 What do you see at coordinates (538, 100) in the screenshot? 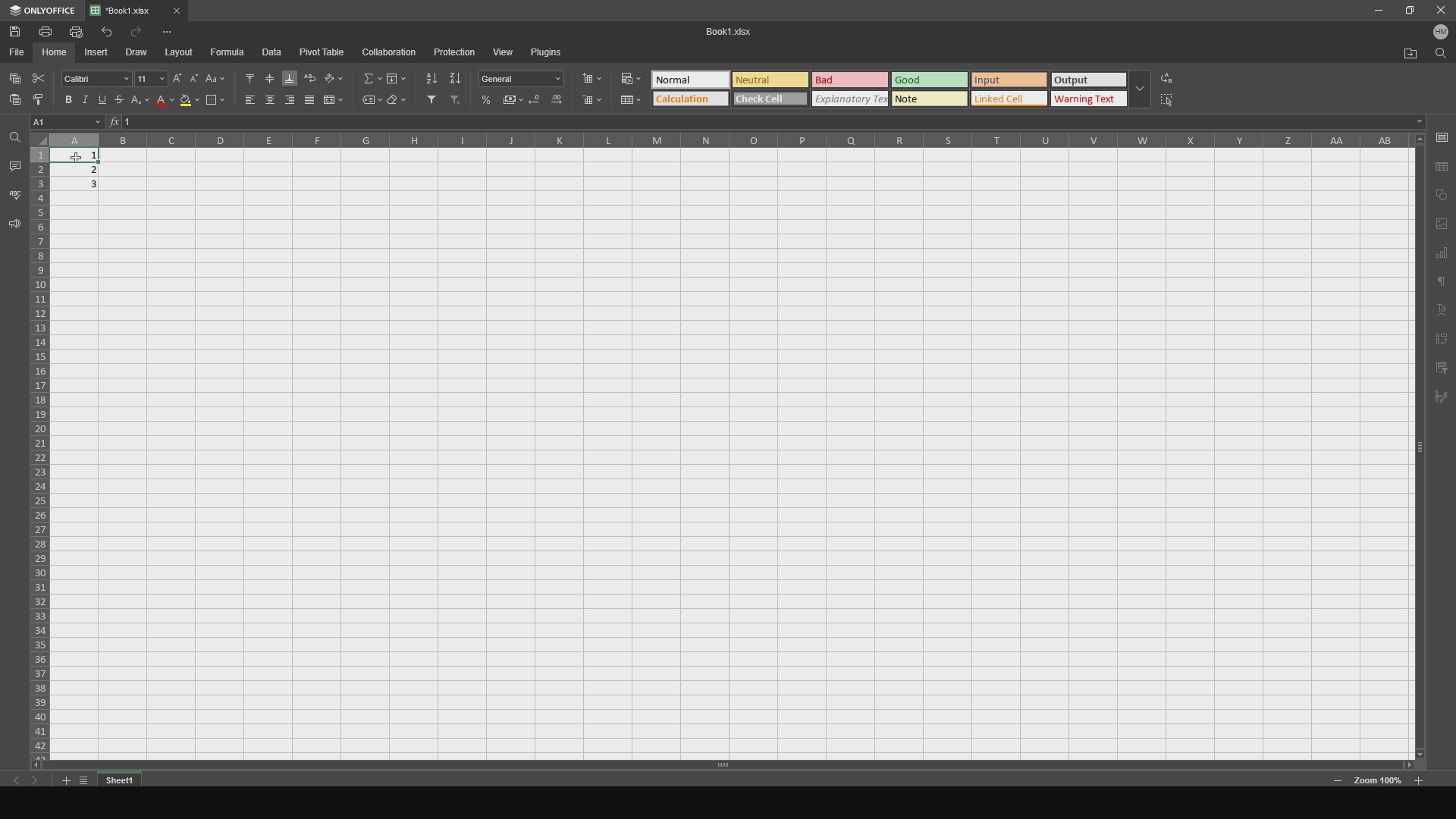
I see `` at bounding box center [538, 100].